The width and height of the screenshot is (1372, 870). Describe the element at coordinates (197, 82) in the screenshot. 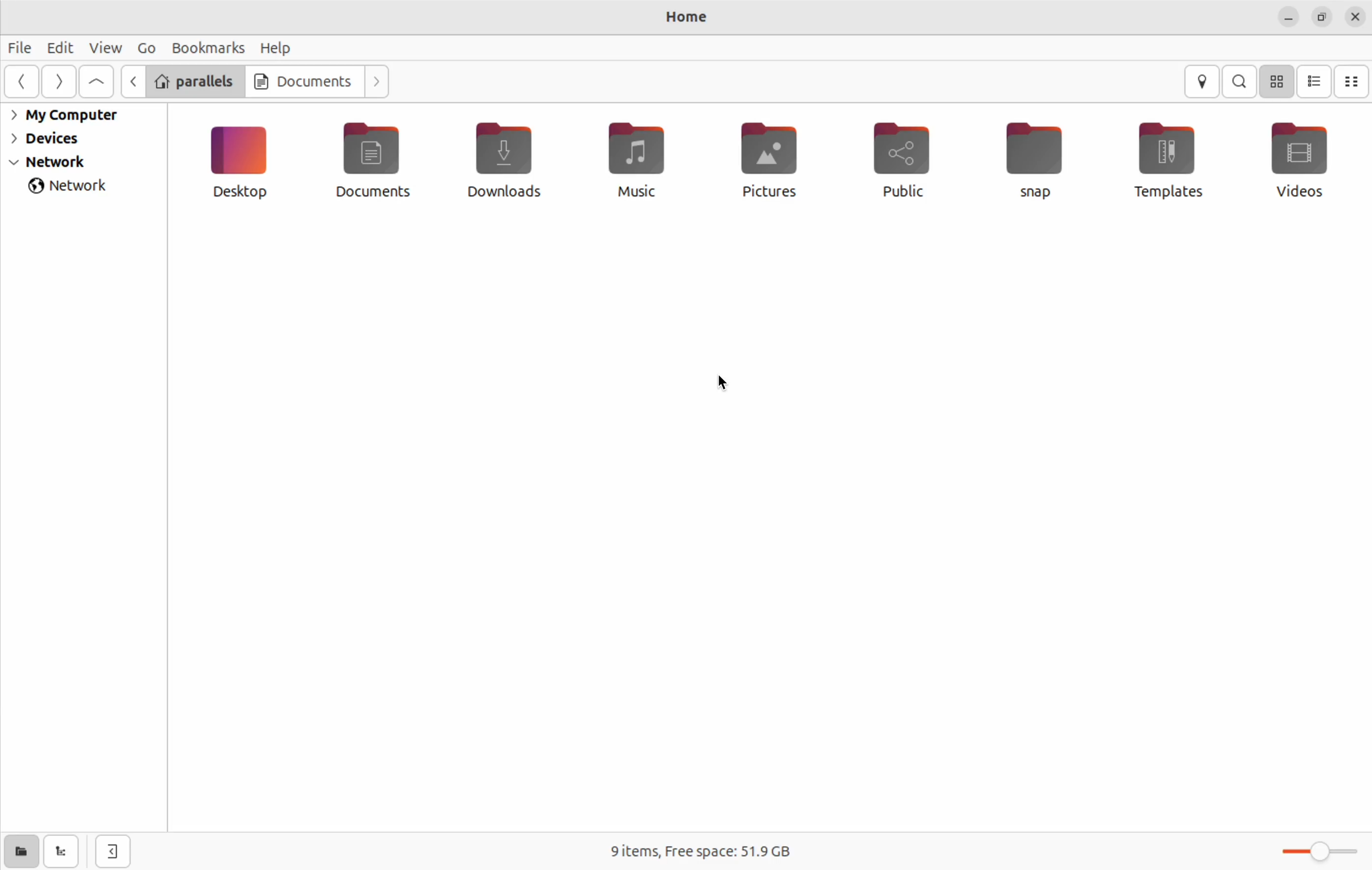

I see `parallels` at that location.